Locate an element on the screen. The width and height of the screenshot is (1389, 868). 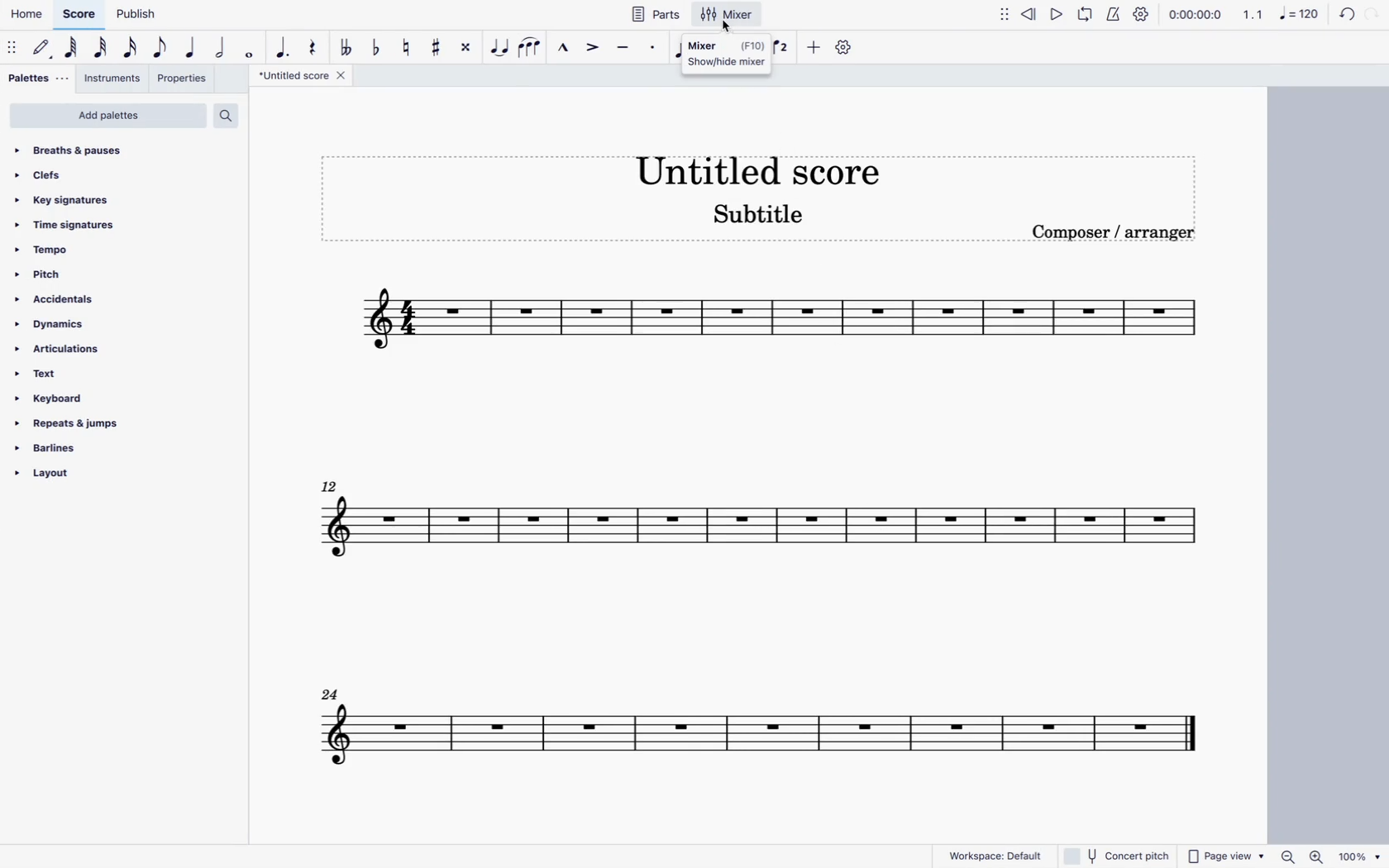
layout is located at coordinates (63, 479).